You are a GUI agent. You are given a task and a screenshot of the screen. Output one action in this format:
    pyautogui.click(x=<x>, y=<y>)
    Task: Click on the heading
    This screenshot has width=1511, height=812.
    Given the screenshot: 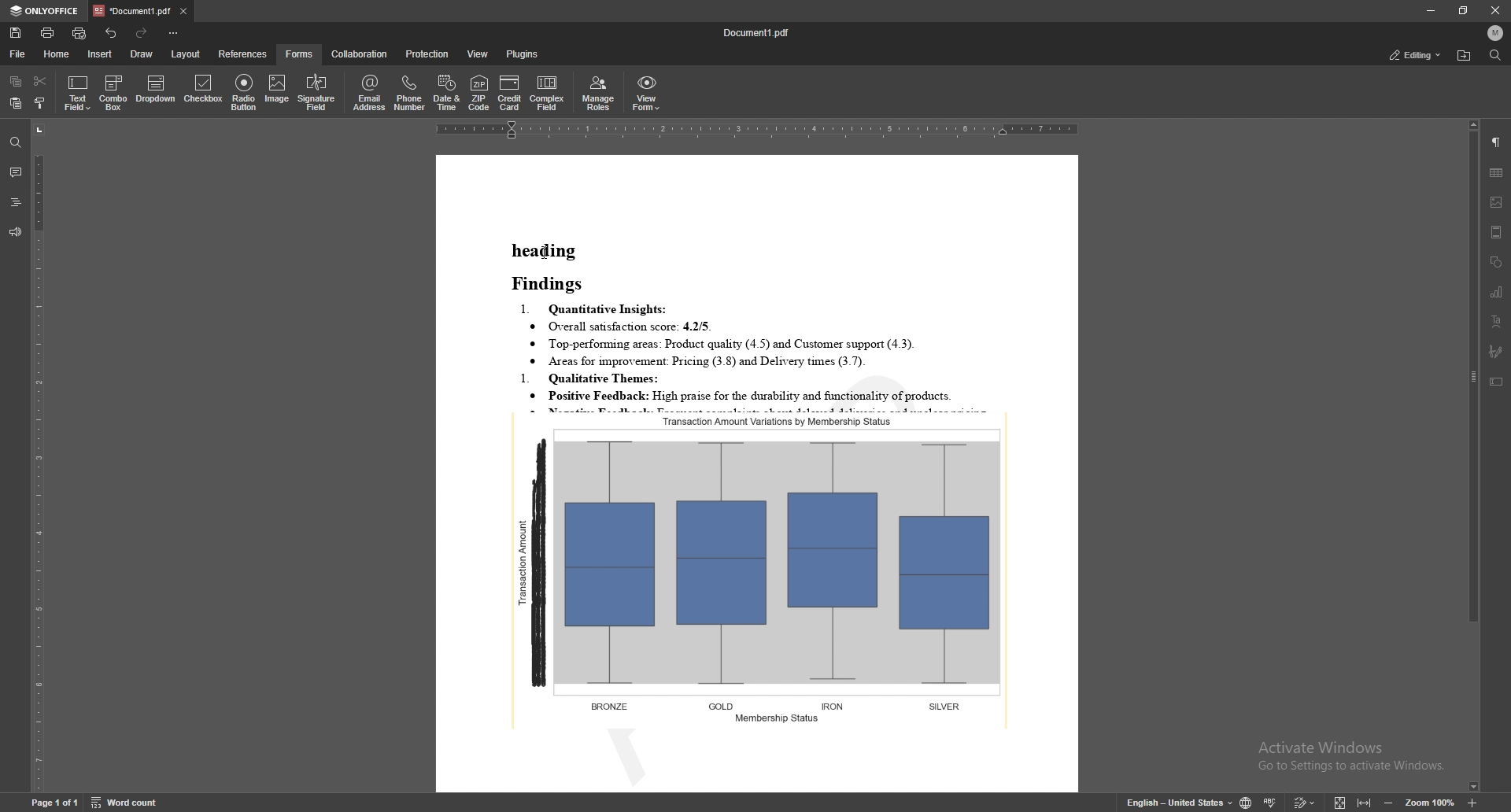 What is the action you would take?
    pyautogui.click(x=545, y=250)
    